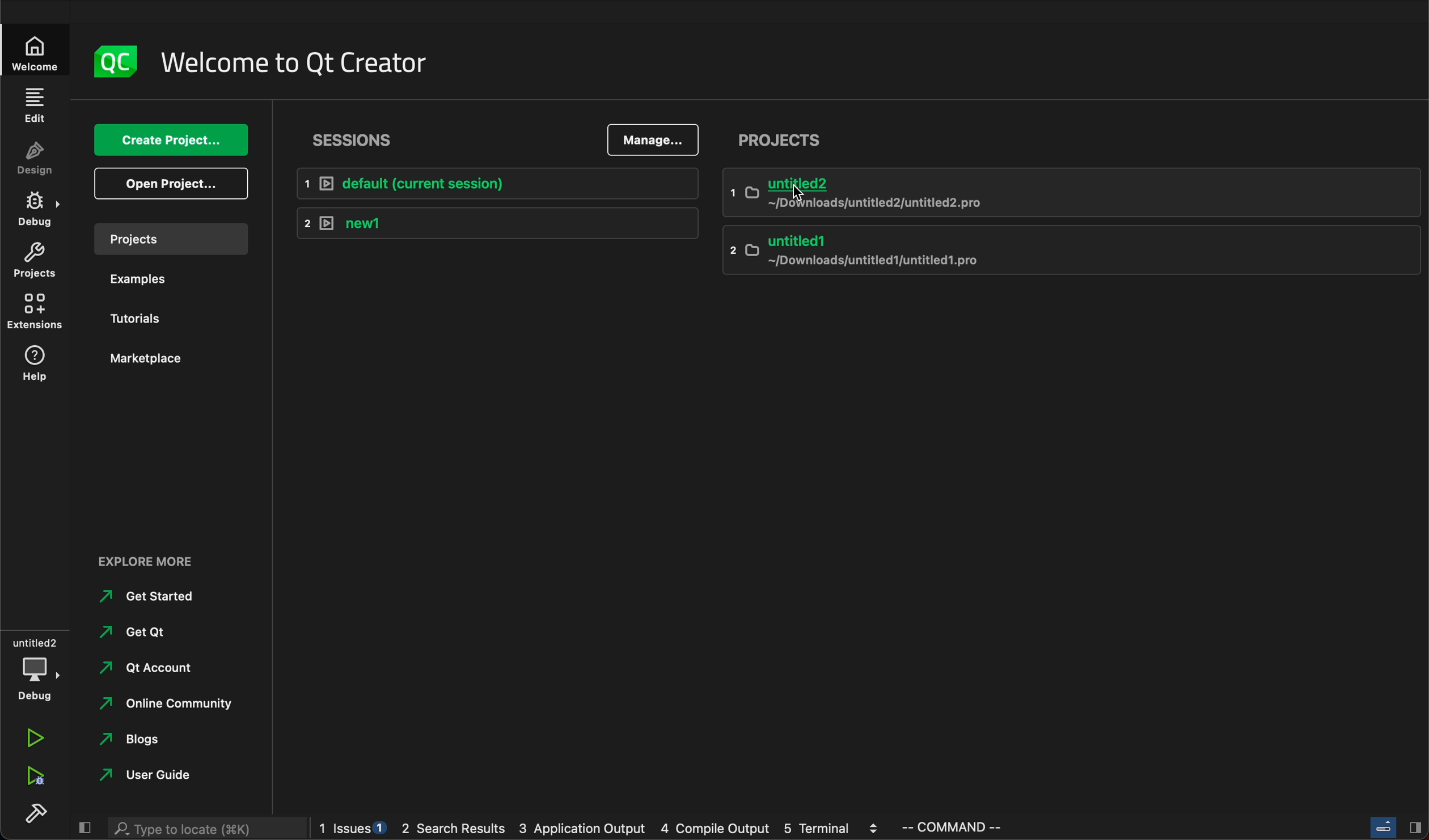  Describe the element at coordinates (34, 49) in the screenshot. I see `welcome` at that location.